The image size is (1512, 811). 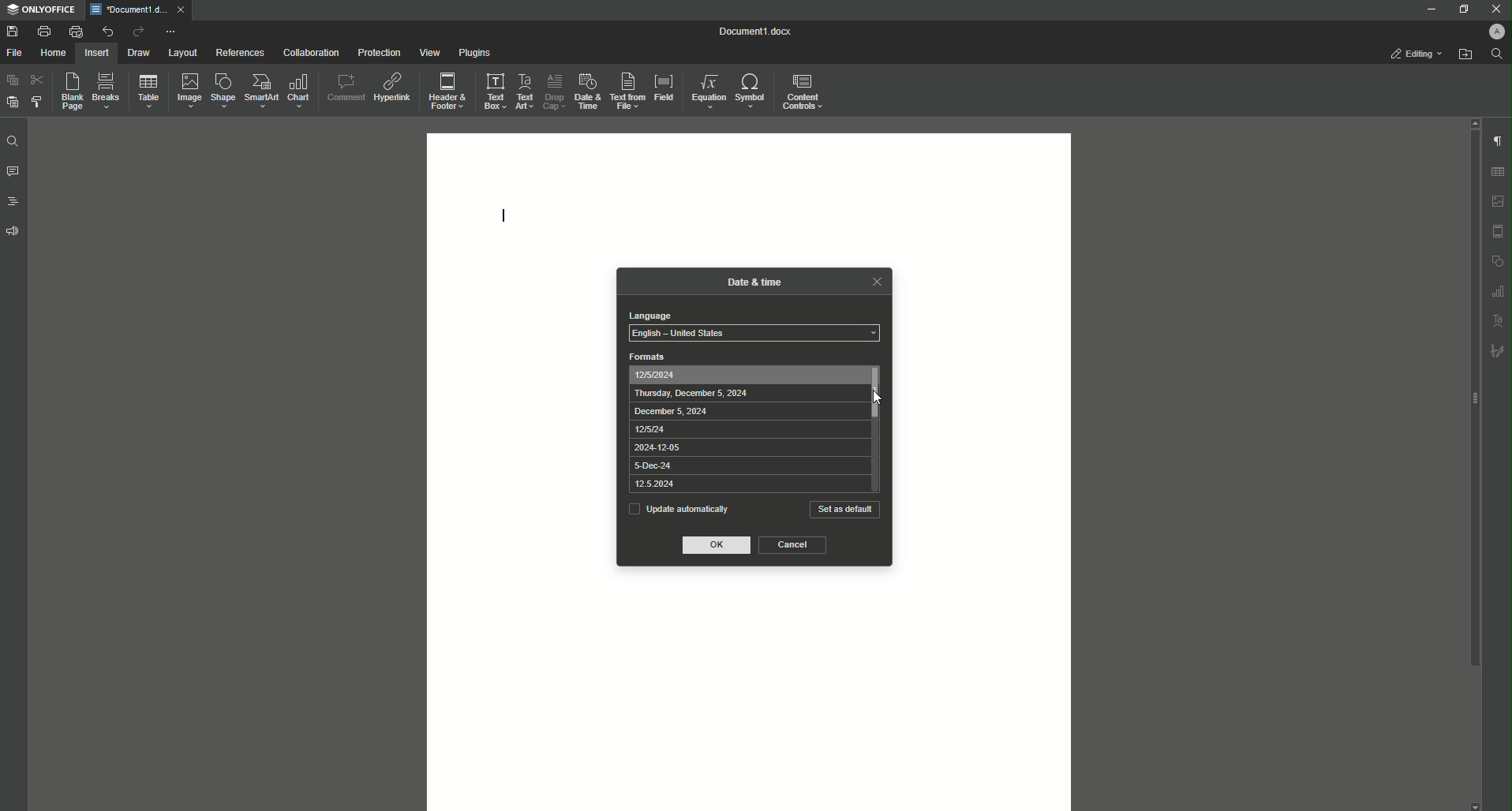 I want to click on vertical scrollbar, so click(x=877, y=394).